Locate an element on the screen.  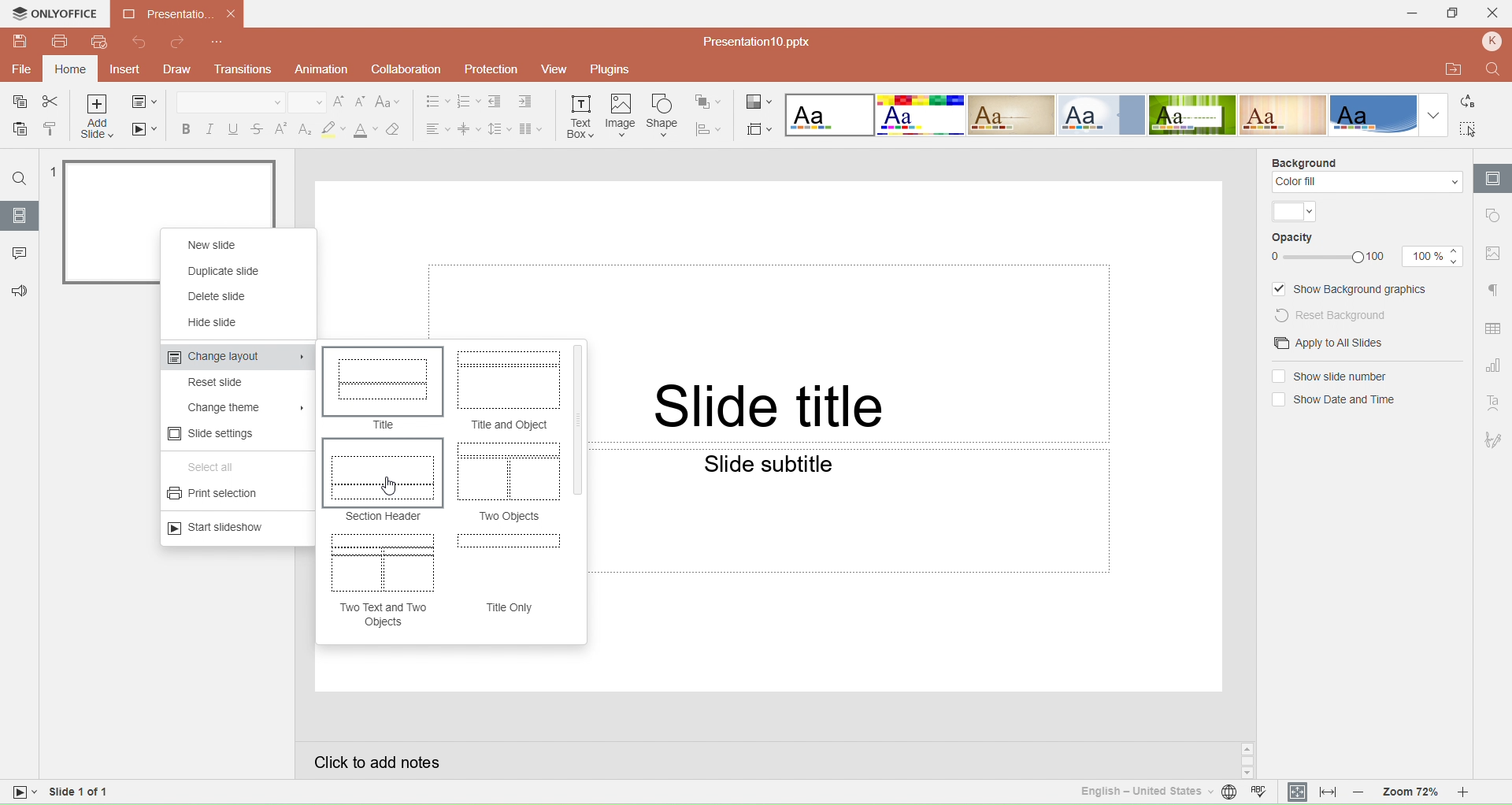
Slide 1 of 1 is located at coordinates (119, 792).